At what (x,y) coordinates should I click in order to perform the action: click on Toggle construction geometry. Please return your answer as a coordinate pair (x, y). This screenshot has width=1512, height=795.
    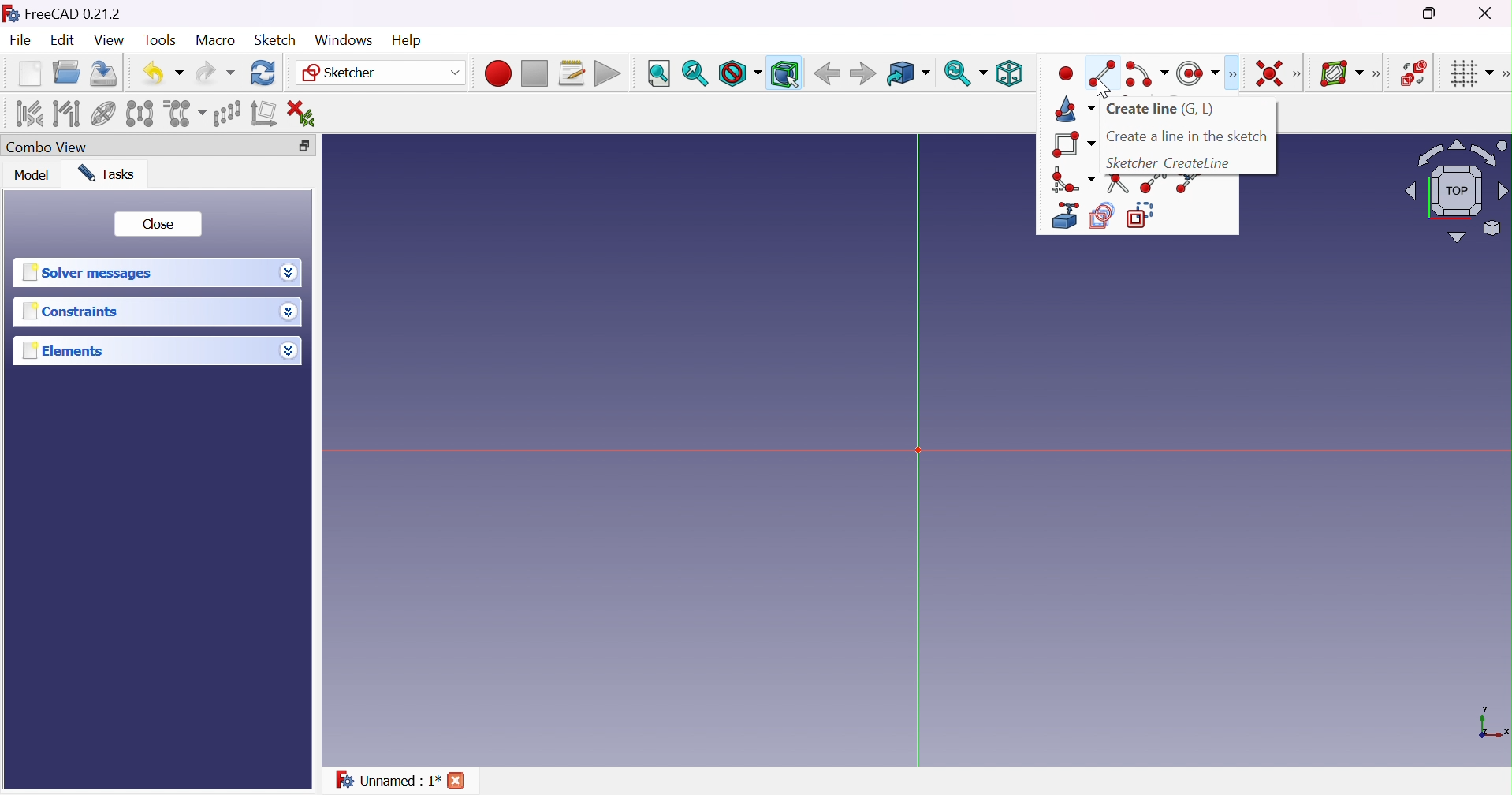
    Looking at the image, I should click on (1145, 215).